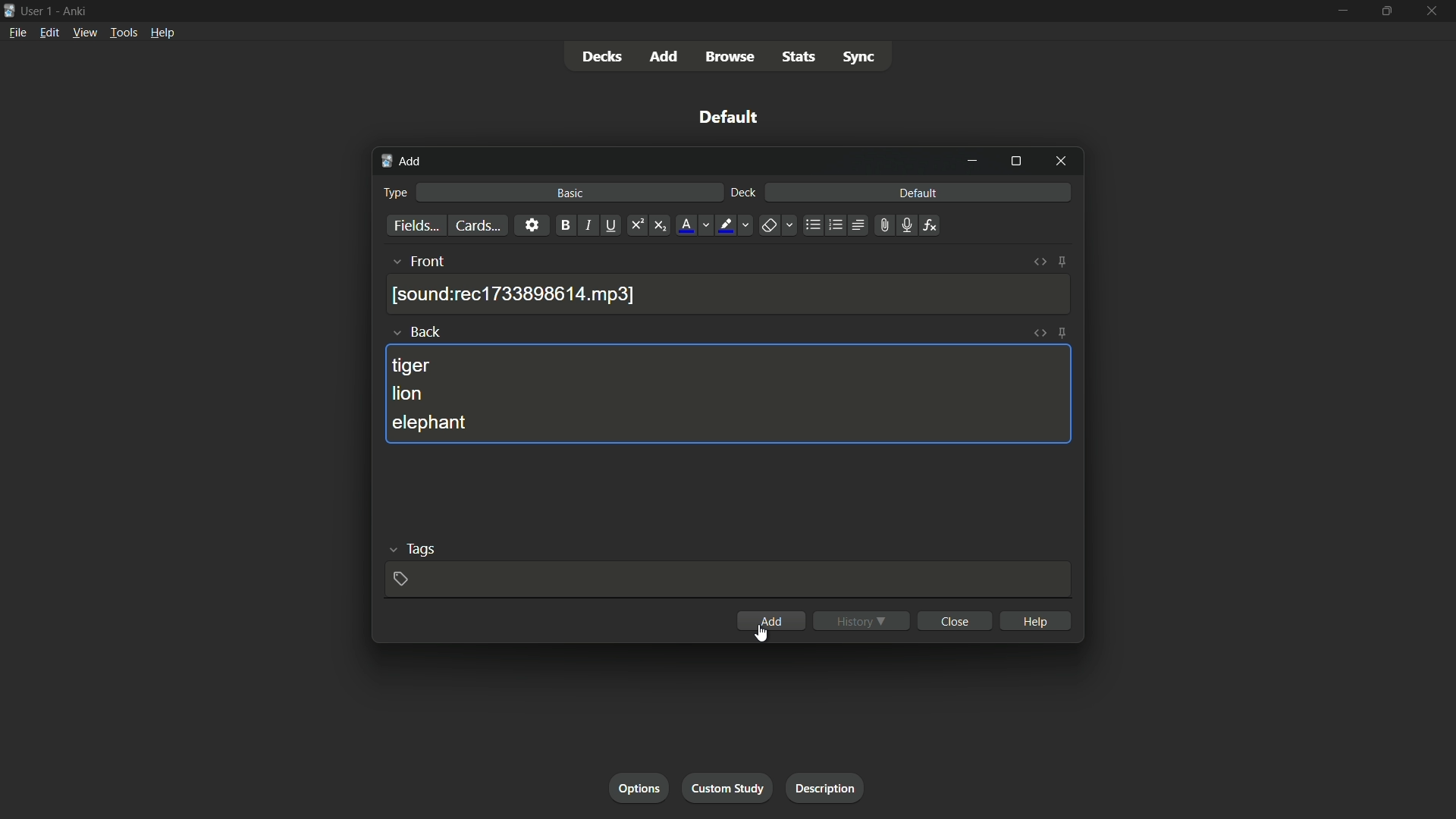 The height and width of the screenshot is (819, 1456). What do you see at coordinates (420, 551) in the screenshot?
I see `tags` at bounding box center [420, 551].